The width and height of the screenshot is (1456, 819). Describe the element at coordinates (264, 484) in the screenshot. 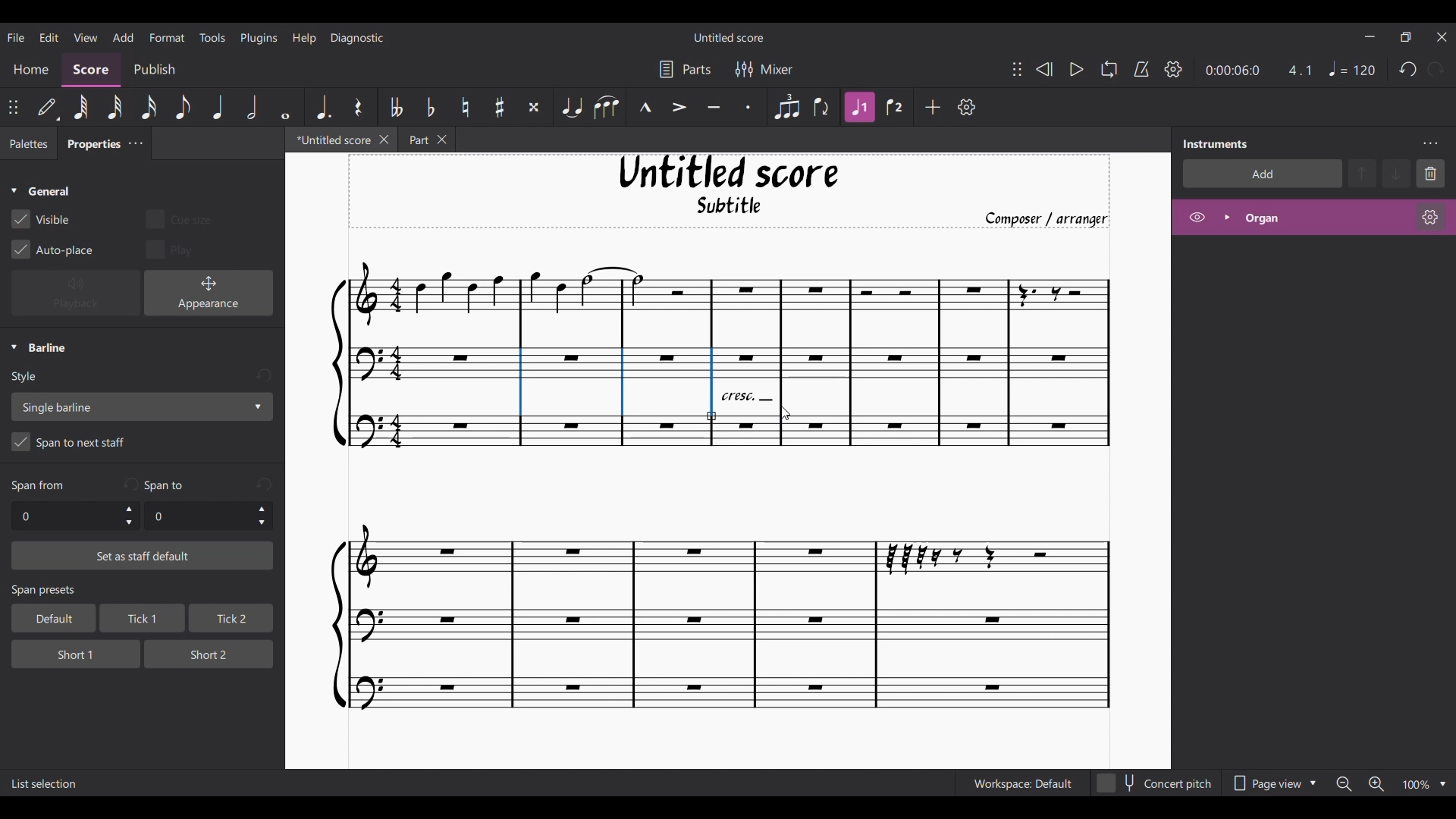

I see `Undo input made` at that location.